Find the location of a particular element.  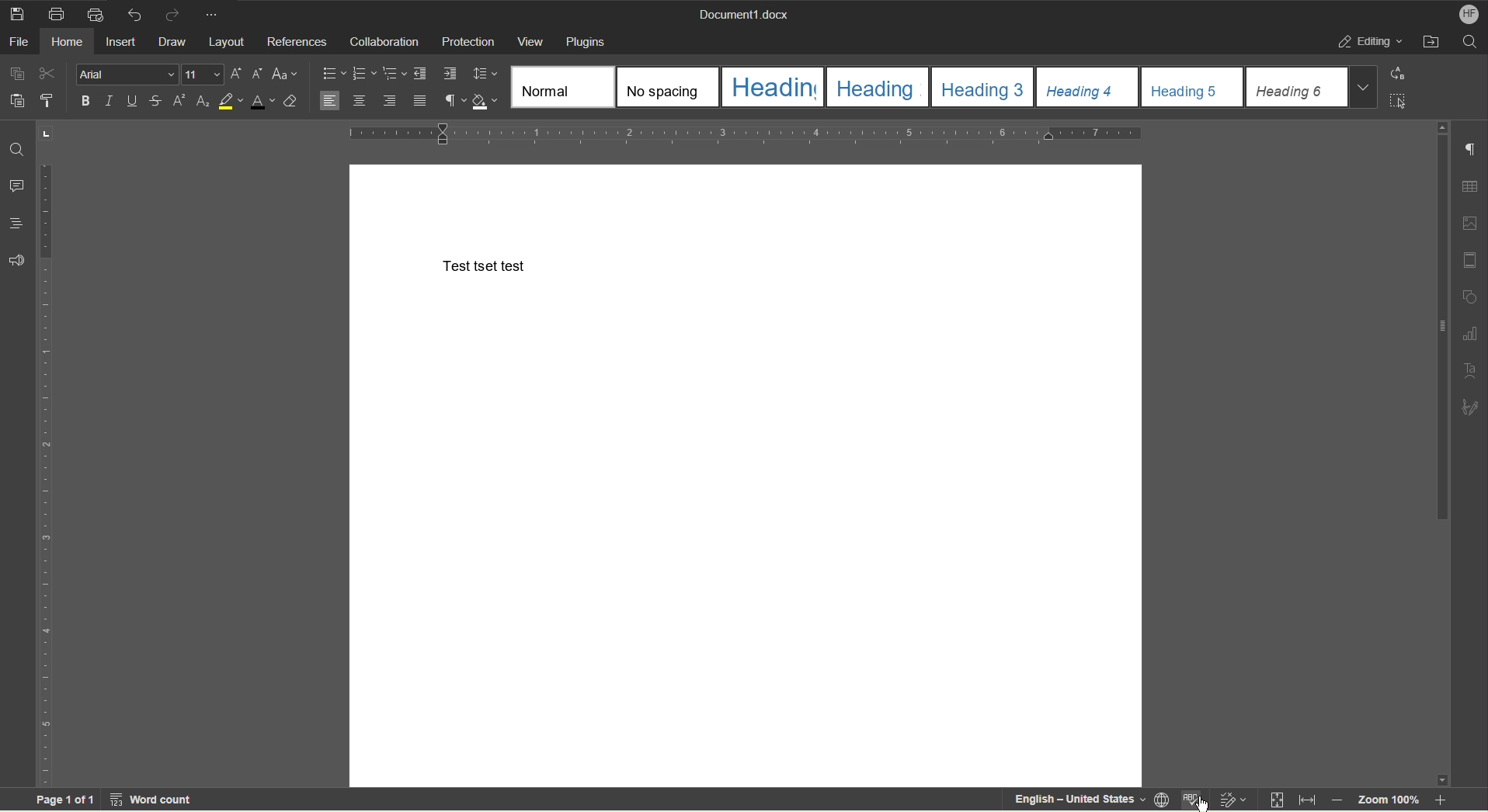

Print is located at coordinates (61, 13).